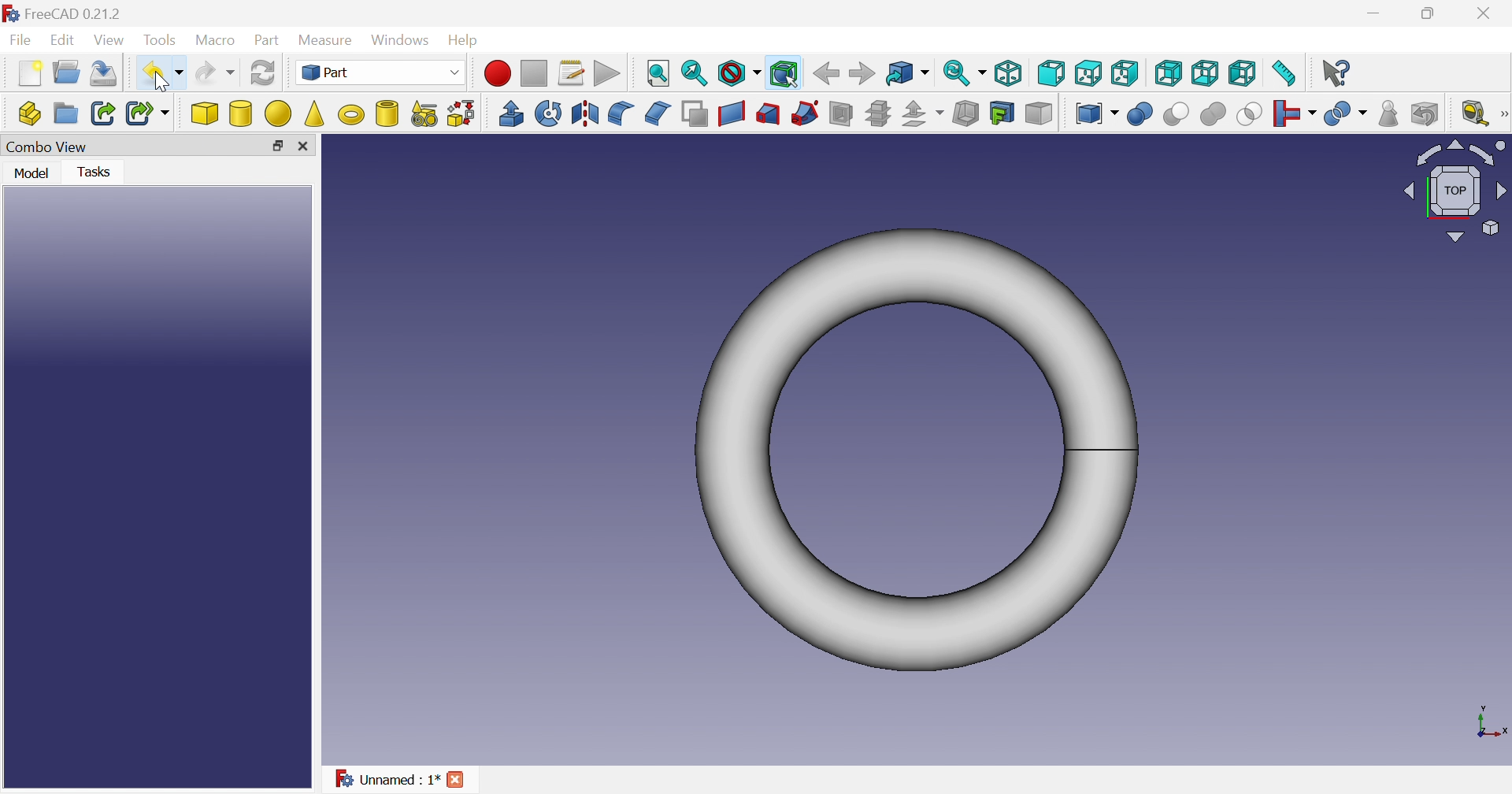  Describe the element at coordinates (1095, 111) in the screenshot. I see `Compound tools` at that location.